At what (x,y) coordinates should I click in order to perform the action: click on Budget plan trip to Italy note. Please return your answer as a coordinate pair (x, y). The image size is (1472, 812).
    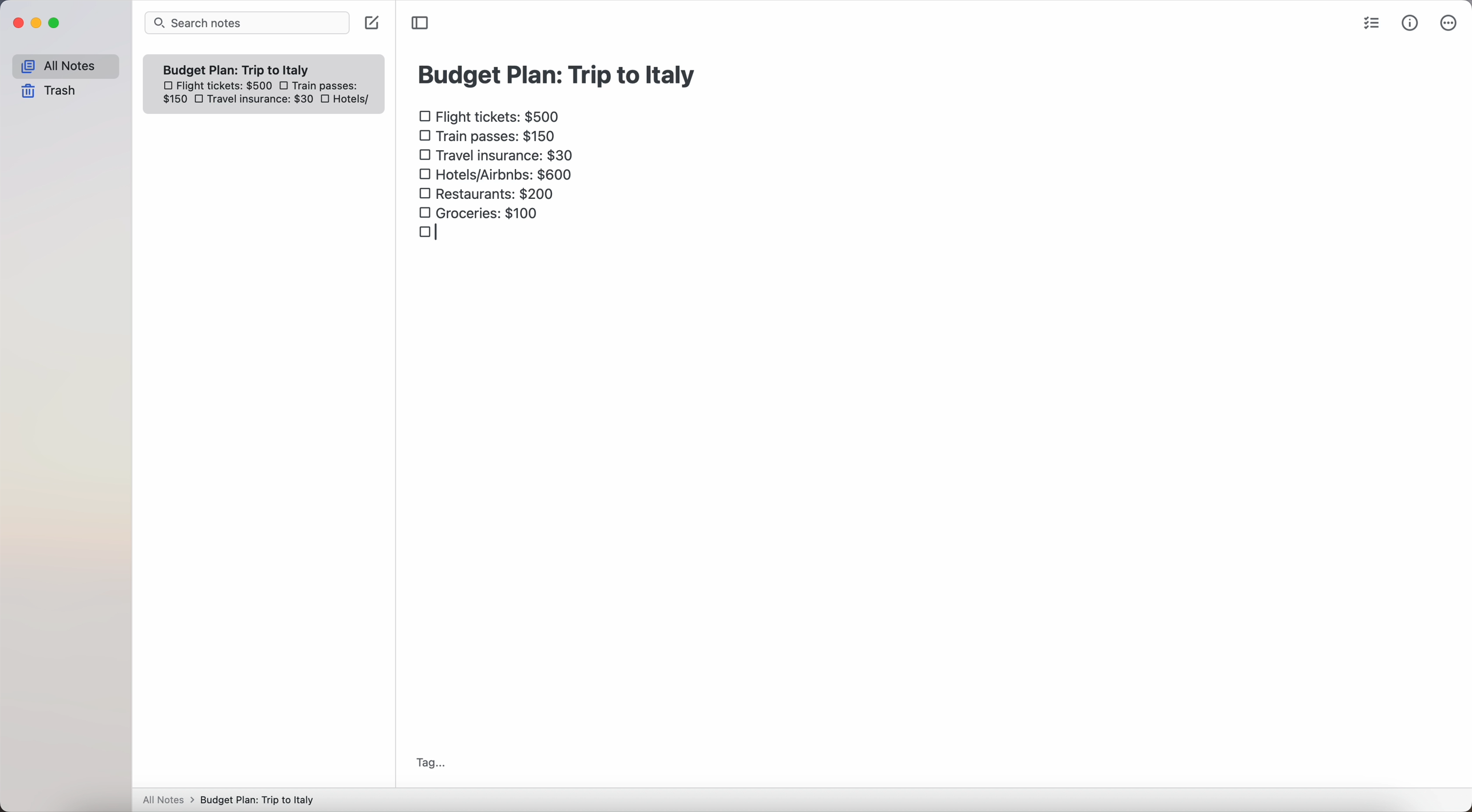
    Looking at the image, I should click on (238, 69).